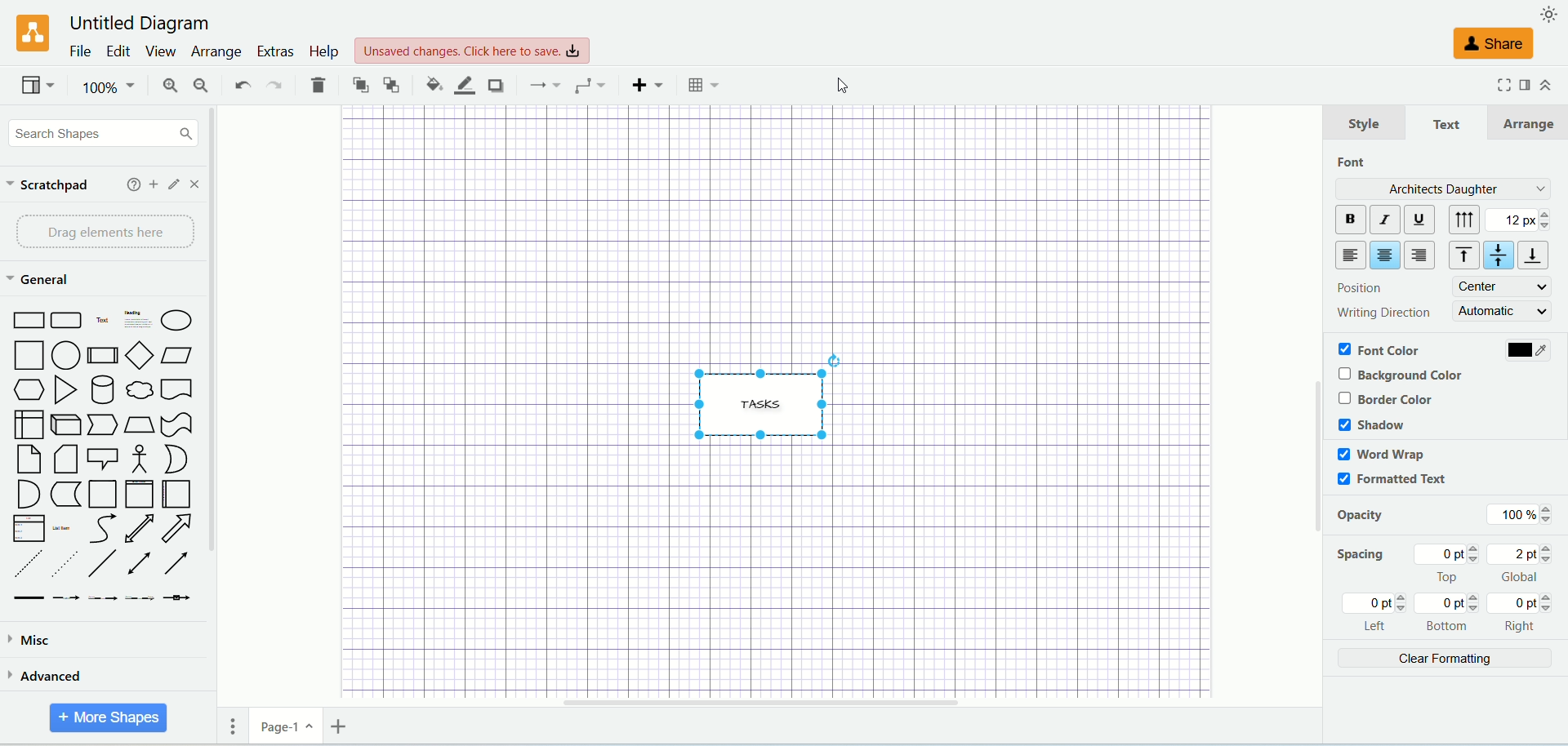 The height and width of the screenshot is (746, 1568). What do you see at coordinates (26, 389) in the screenshot?
I see `Hexagon` at bounding box center [26, 389].